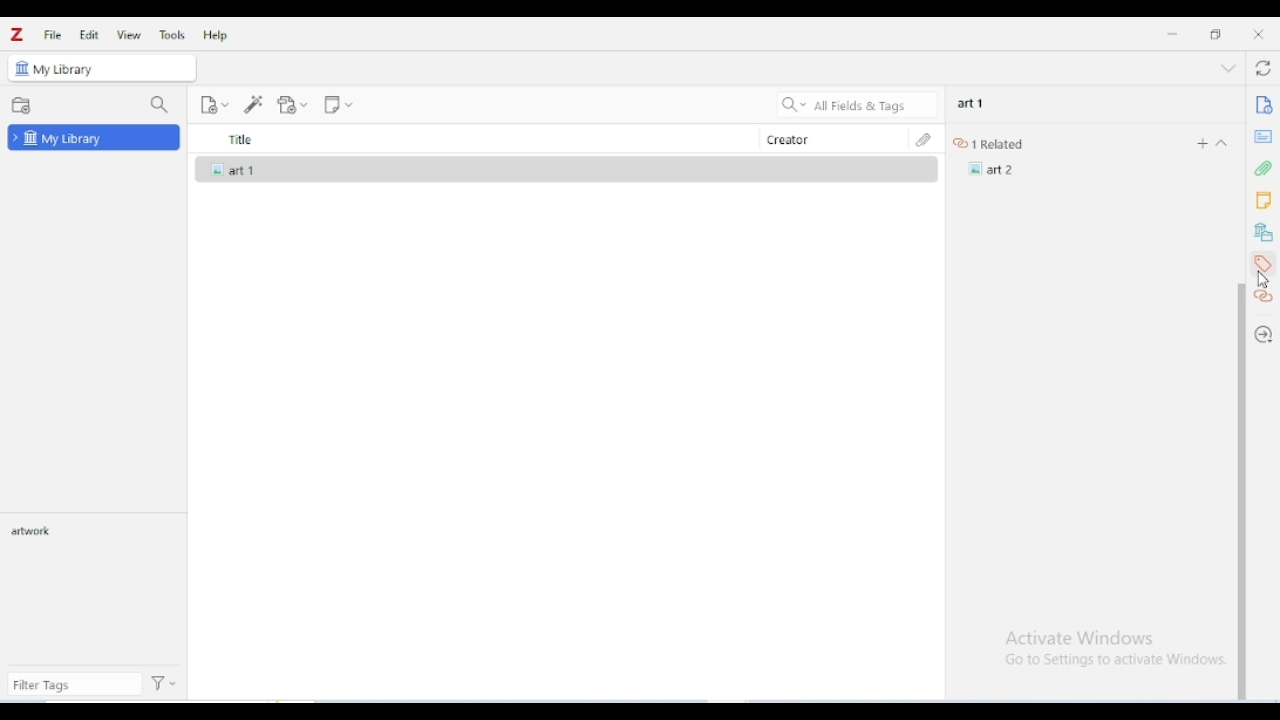 This screenshot has height=720, width=1280. I want to click on tags, so click(1262, 264).